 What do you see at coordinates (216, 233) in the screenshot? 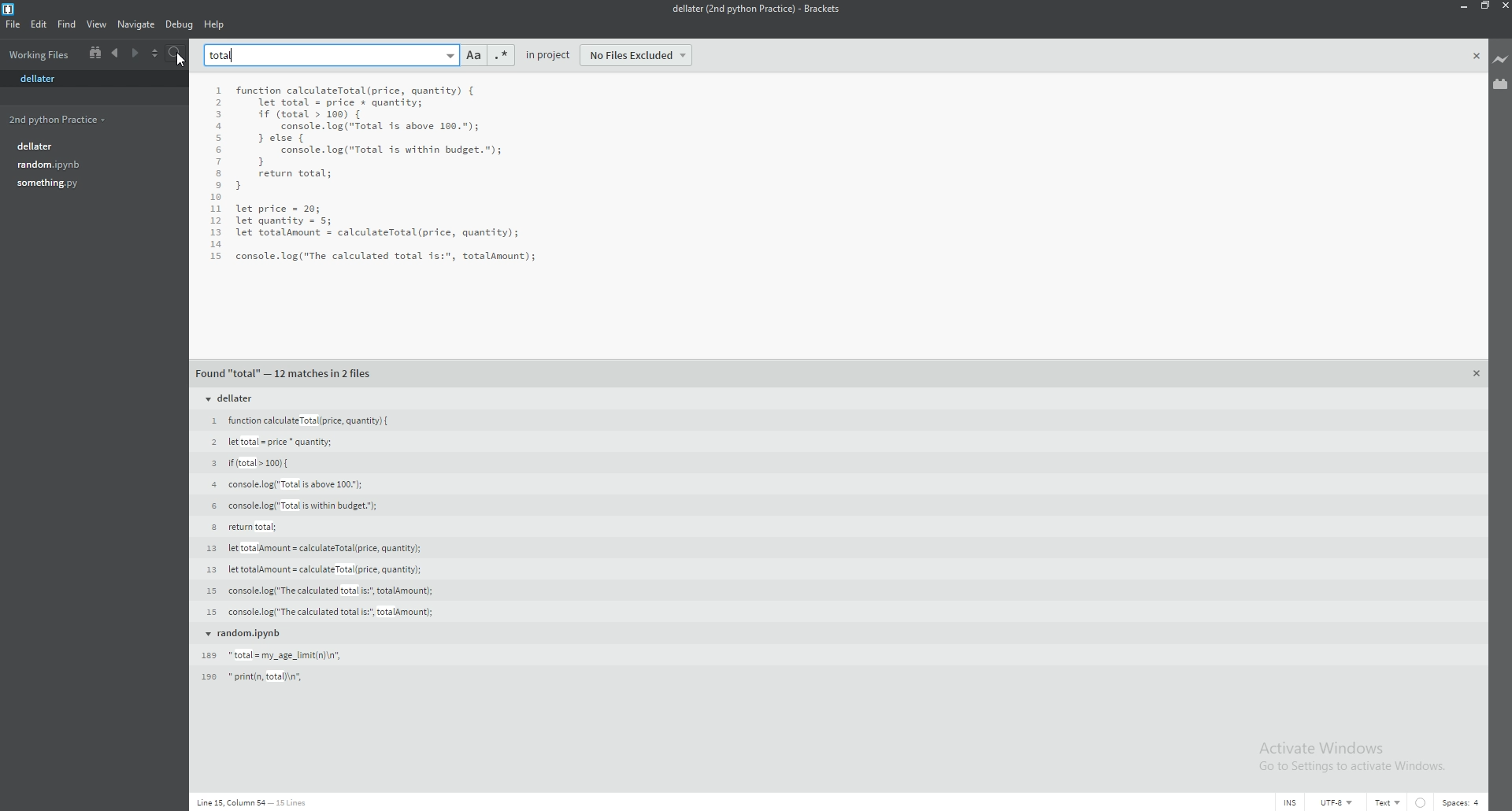
I see `13` at bounding box center [216, 233].